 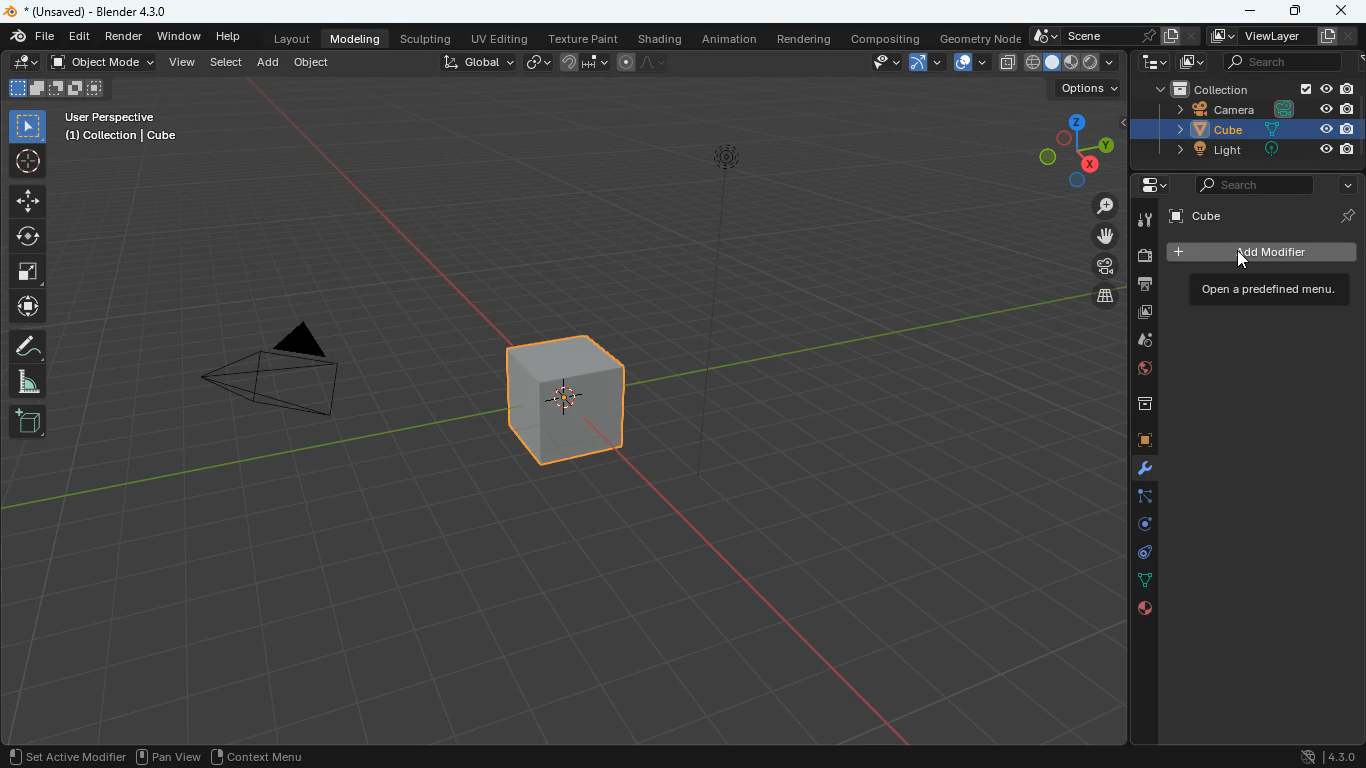 I want to click on move, so click(x=1091, y=236).